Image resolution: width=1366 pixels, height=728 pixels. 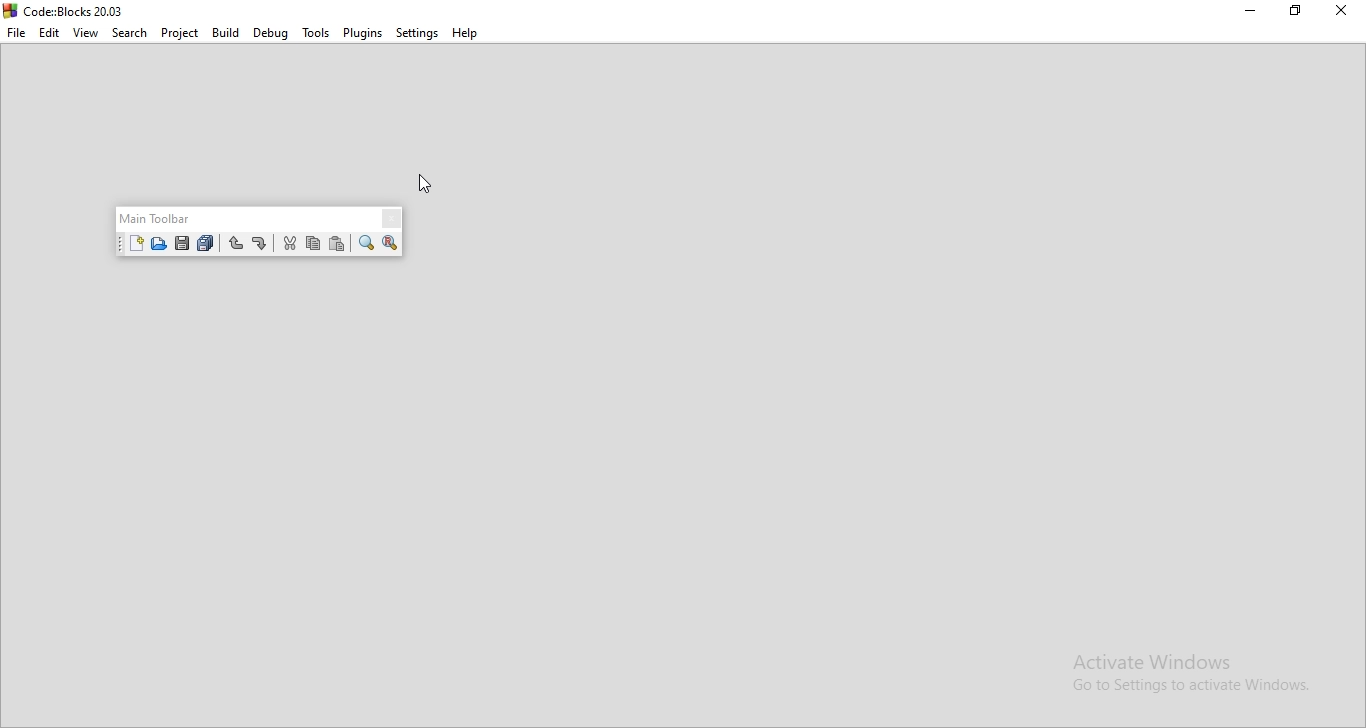 What do you see at coordinates (77, 12) in the screenshot?
I see `Code::Blocks 20.03` at bounding box center [77, 12].